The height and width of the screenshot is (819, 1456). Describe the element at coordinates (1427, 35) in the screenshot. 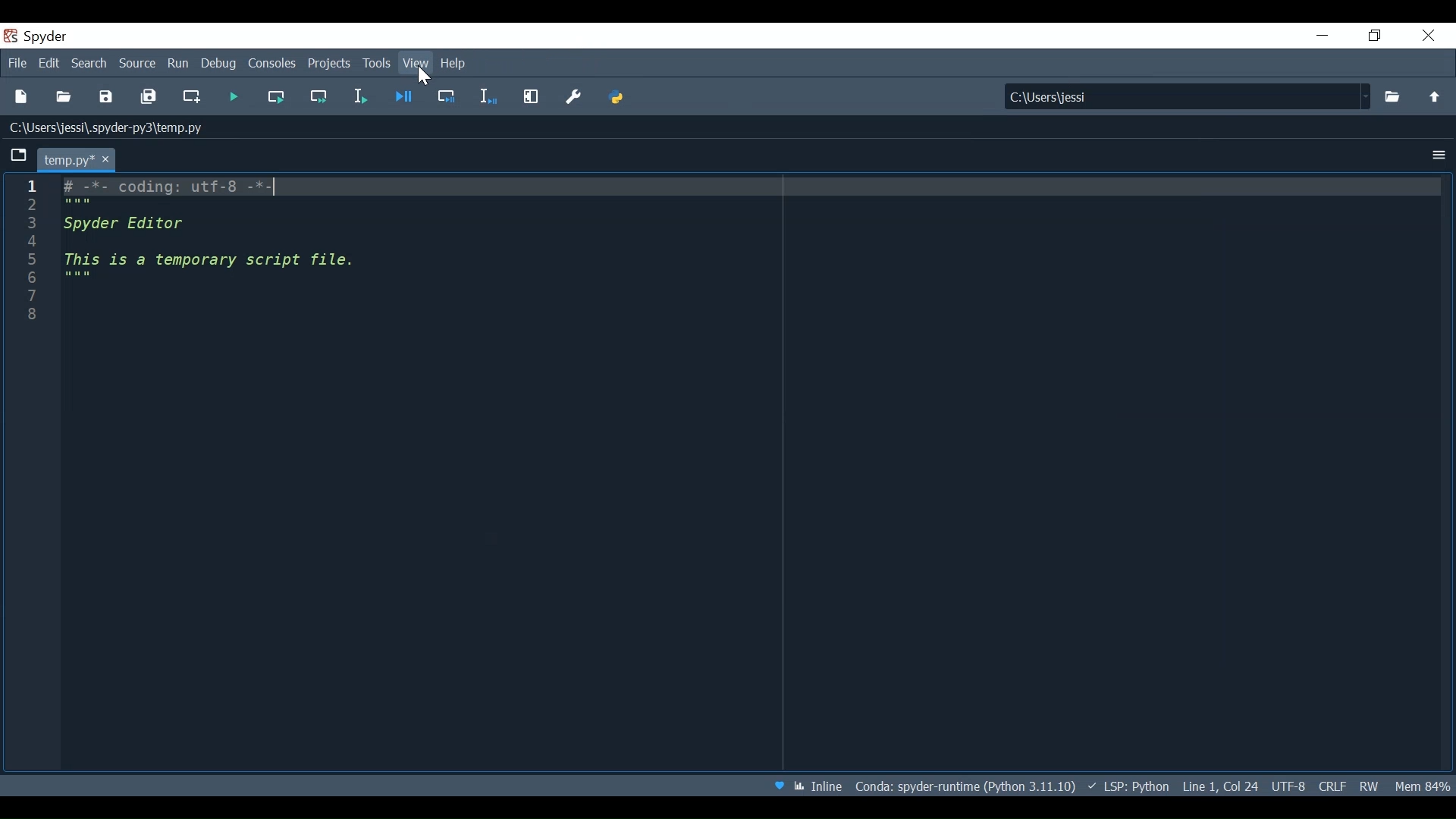

I see `Close` at that location.